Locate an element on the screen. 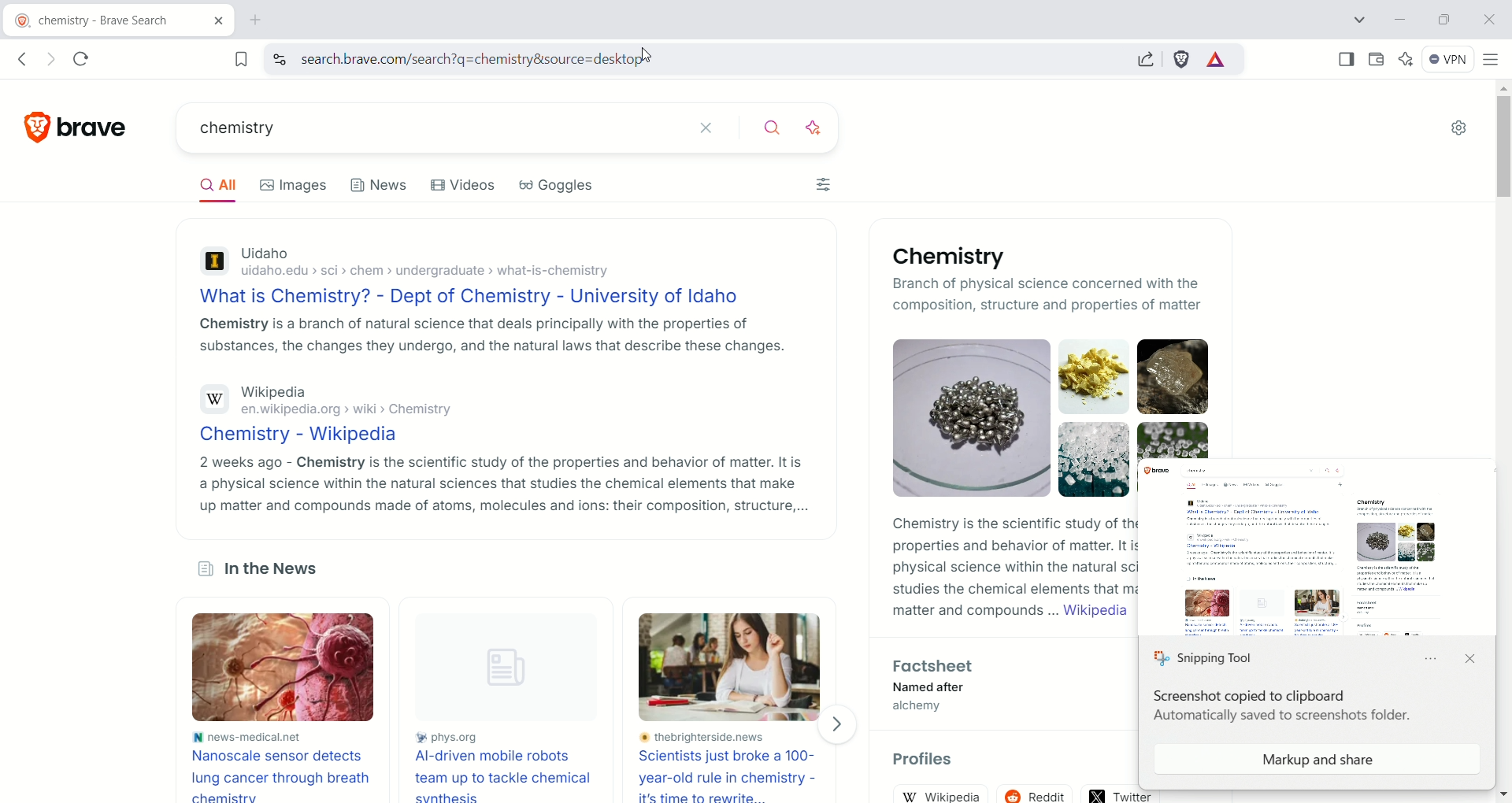 Image resolution: width=1512 pixels, height=803 pixels. image is located at coordinates (295, 669).